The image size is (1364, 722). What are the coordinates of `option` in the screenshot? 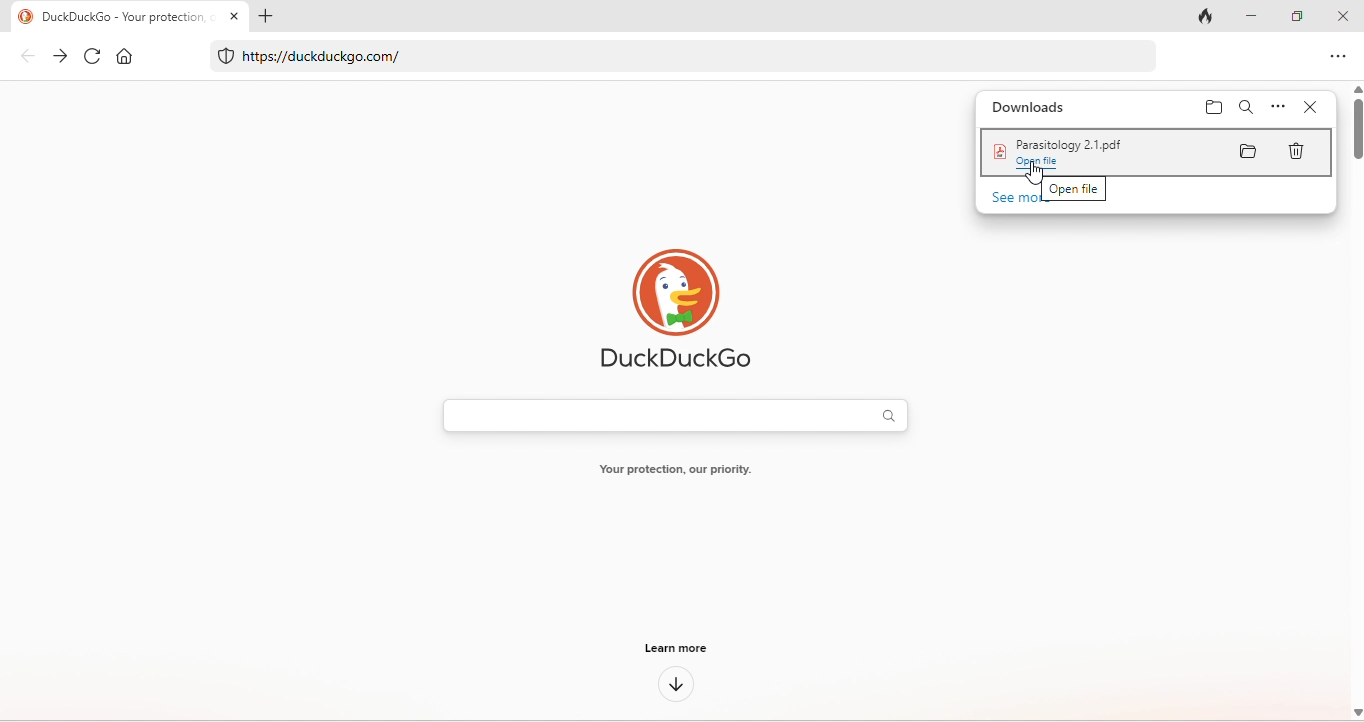 It's located at (1275, 106).